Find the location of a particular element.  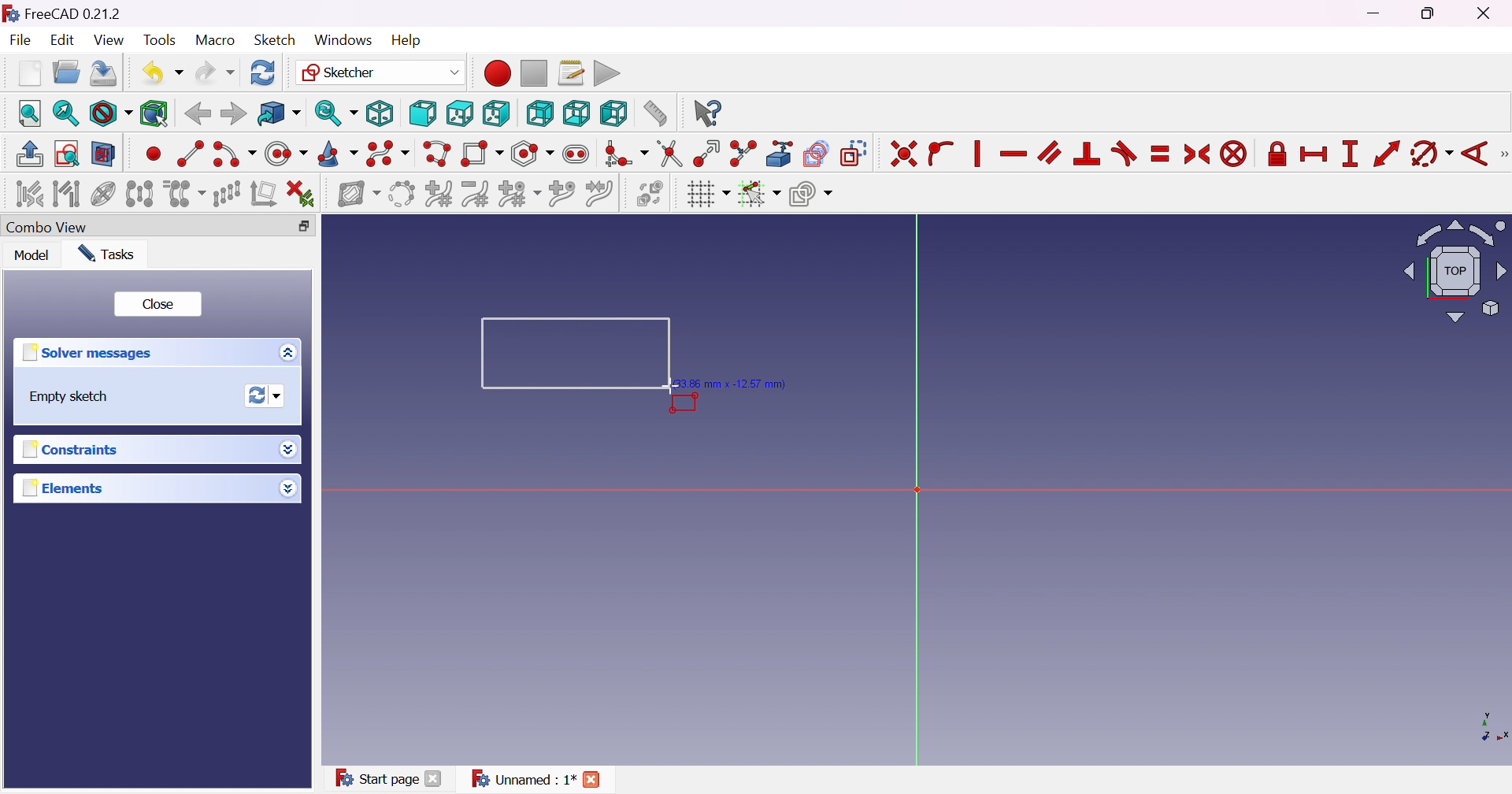

Close is located at coordinates (160, 302).